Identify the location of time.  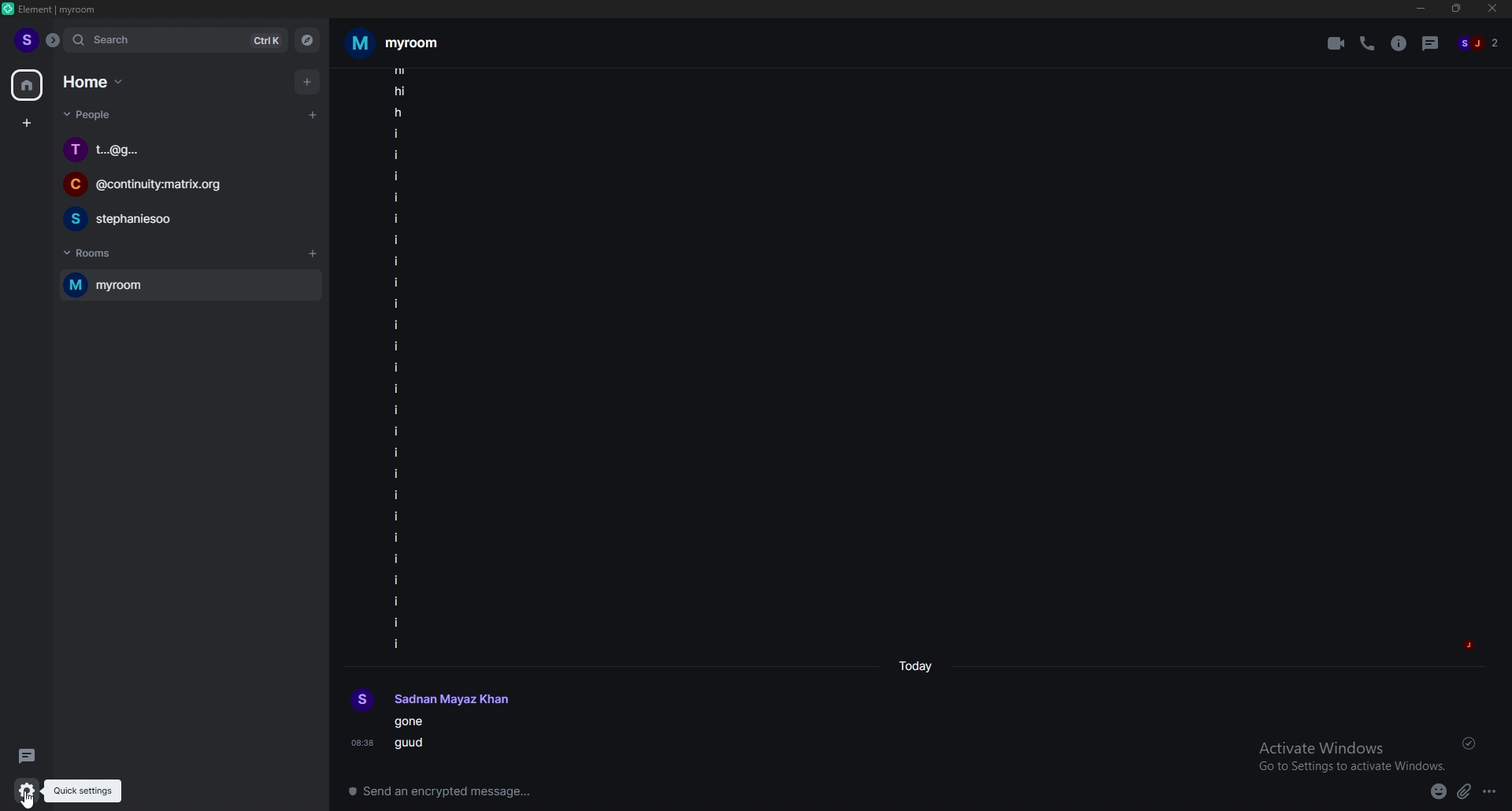
(920, 667).